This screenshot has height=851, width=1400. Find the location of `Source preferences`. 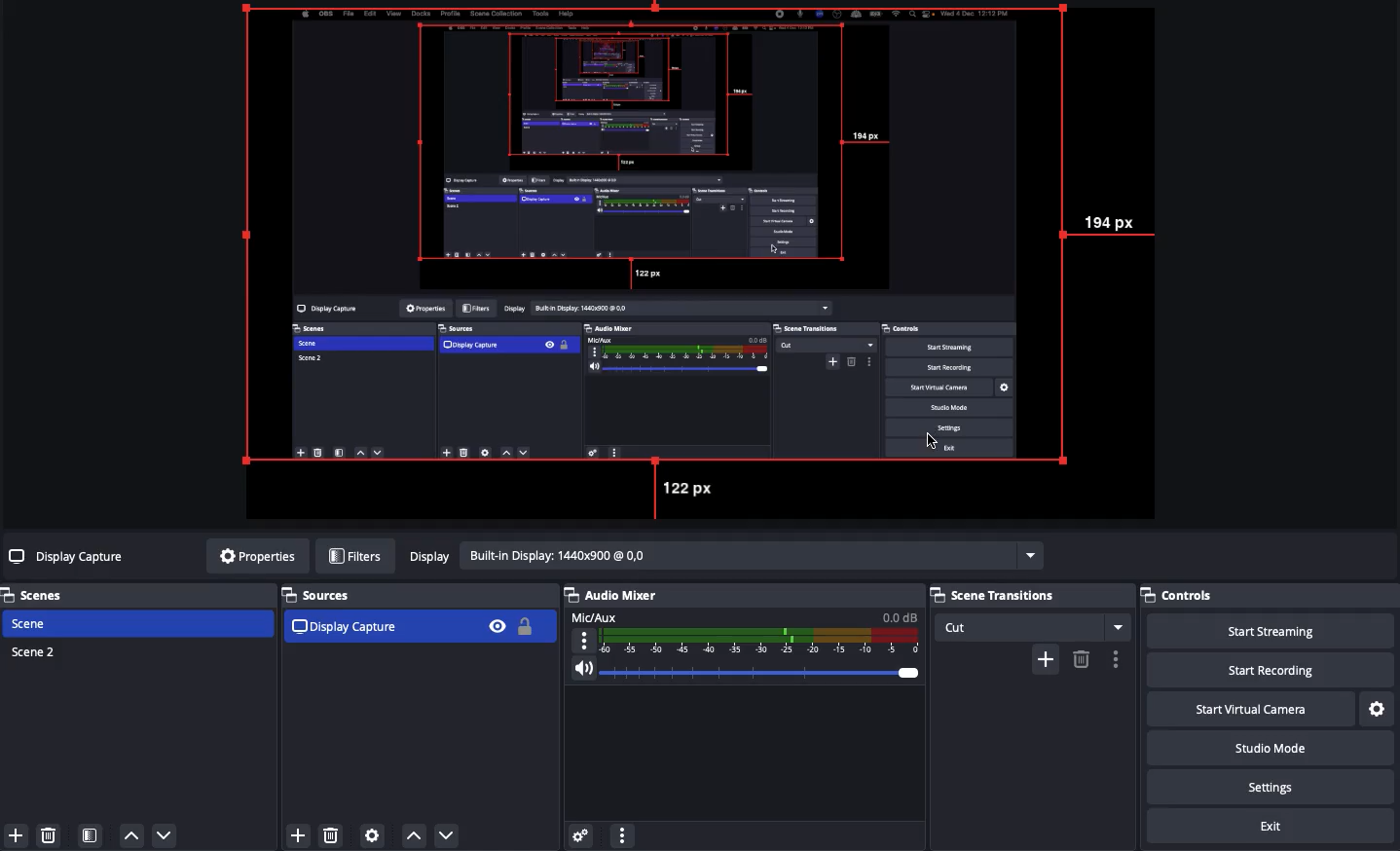

Source preferences is located at coordinates (375, 835).